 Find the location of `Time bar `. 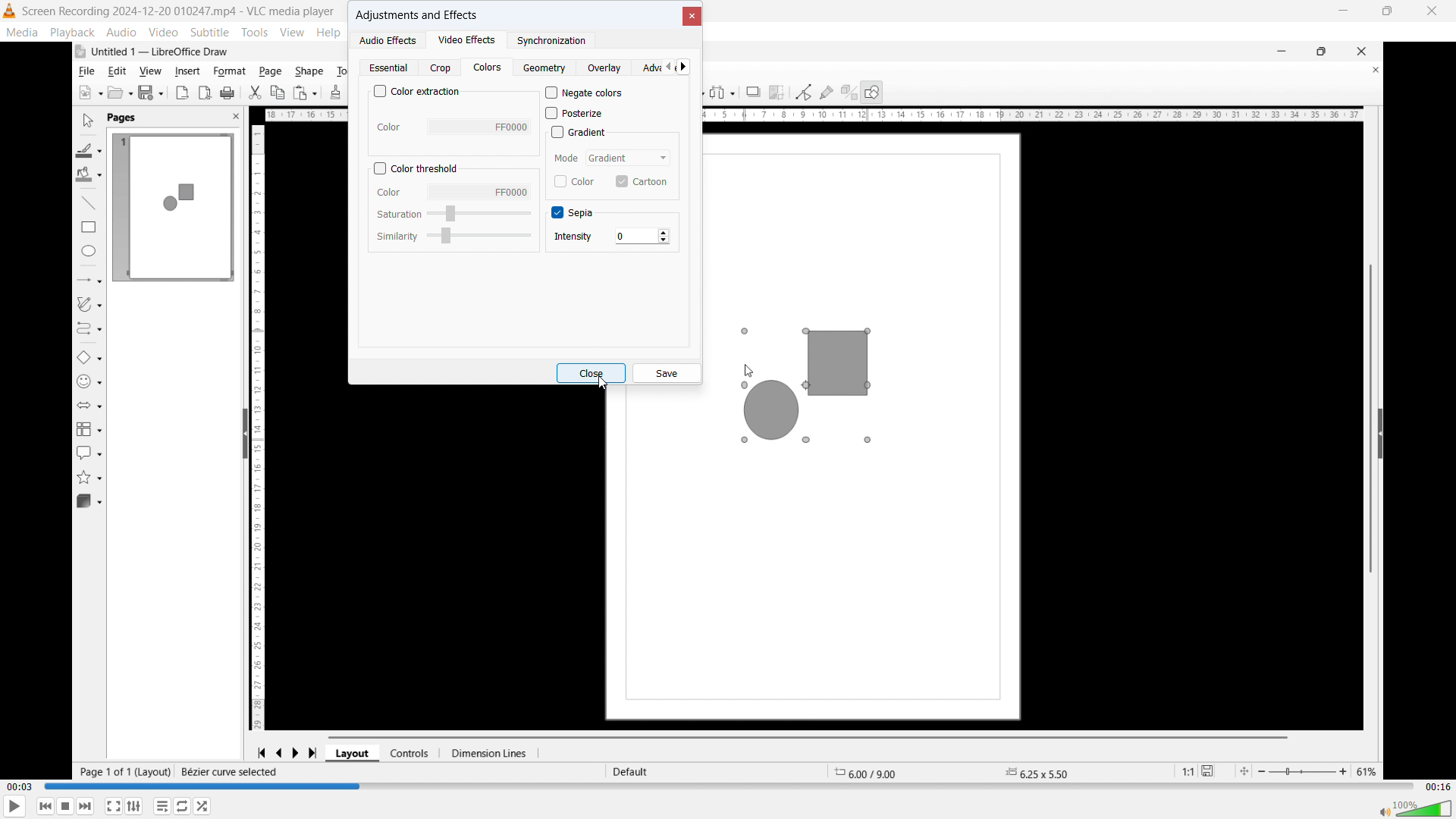

Time bar  is located at coordinates (728, 785).